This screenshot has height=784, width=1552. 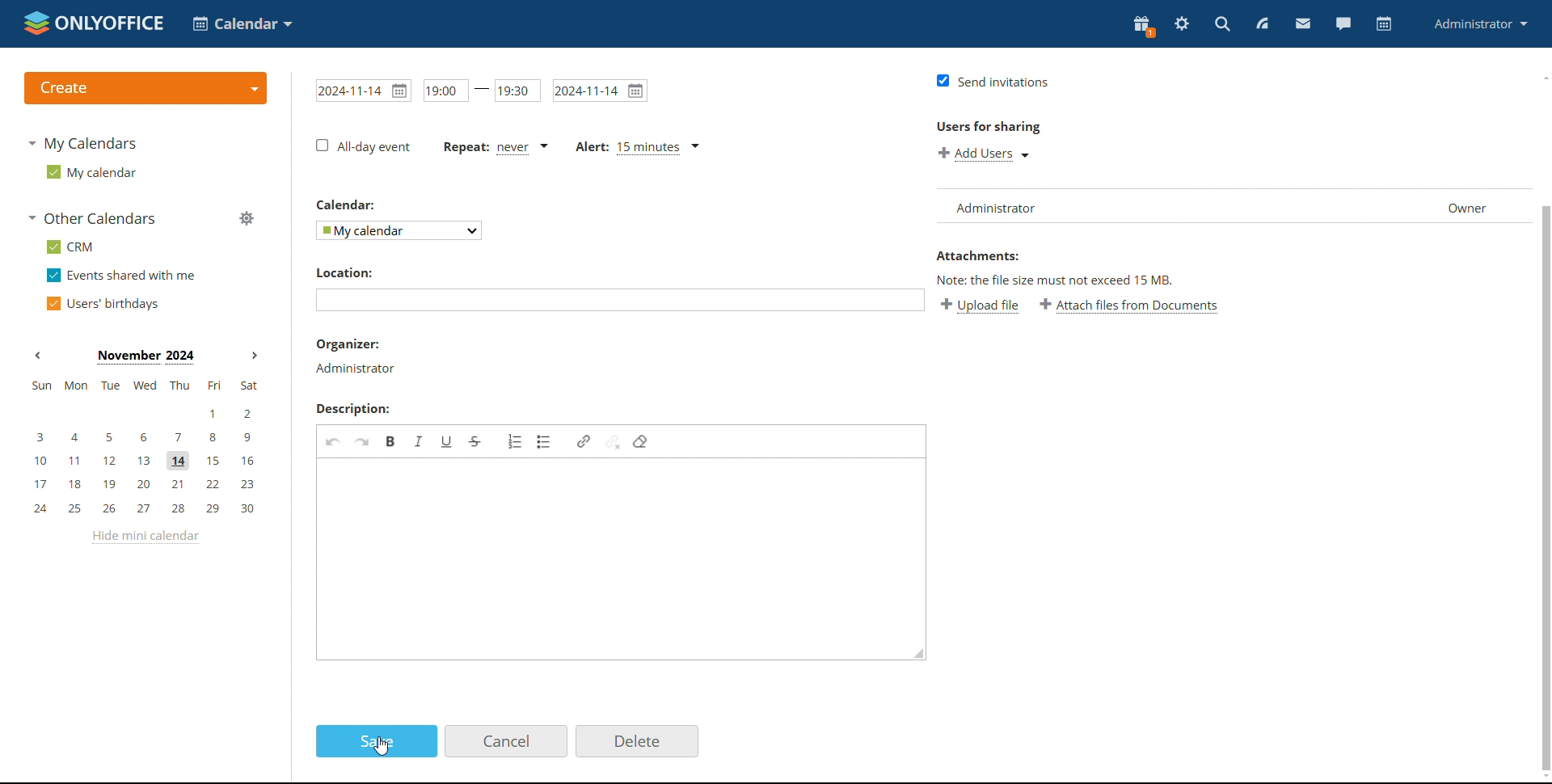 I want to click on mail, so click(x=1301, y=24).